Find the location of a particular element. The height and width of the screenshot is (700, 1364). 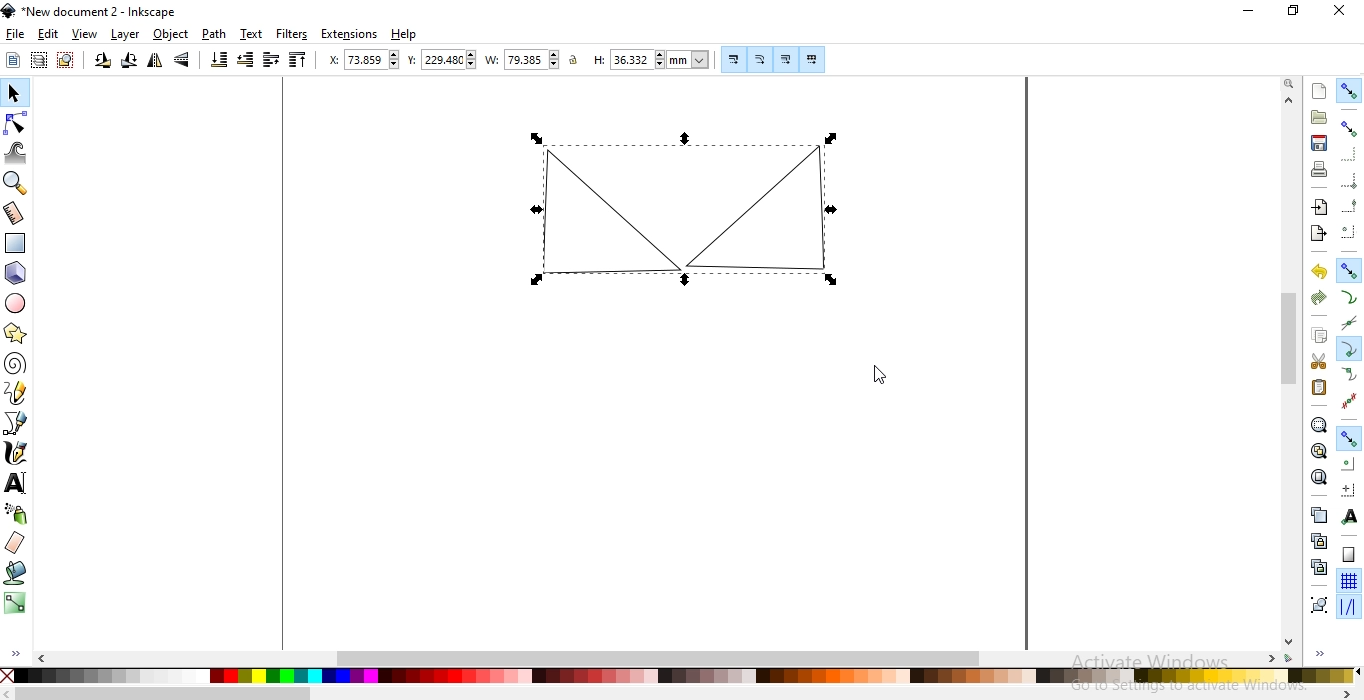

open an existing document is located at coordinates (1319, 117).